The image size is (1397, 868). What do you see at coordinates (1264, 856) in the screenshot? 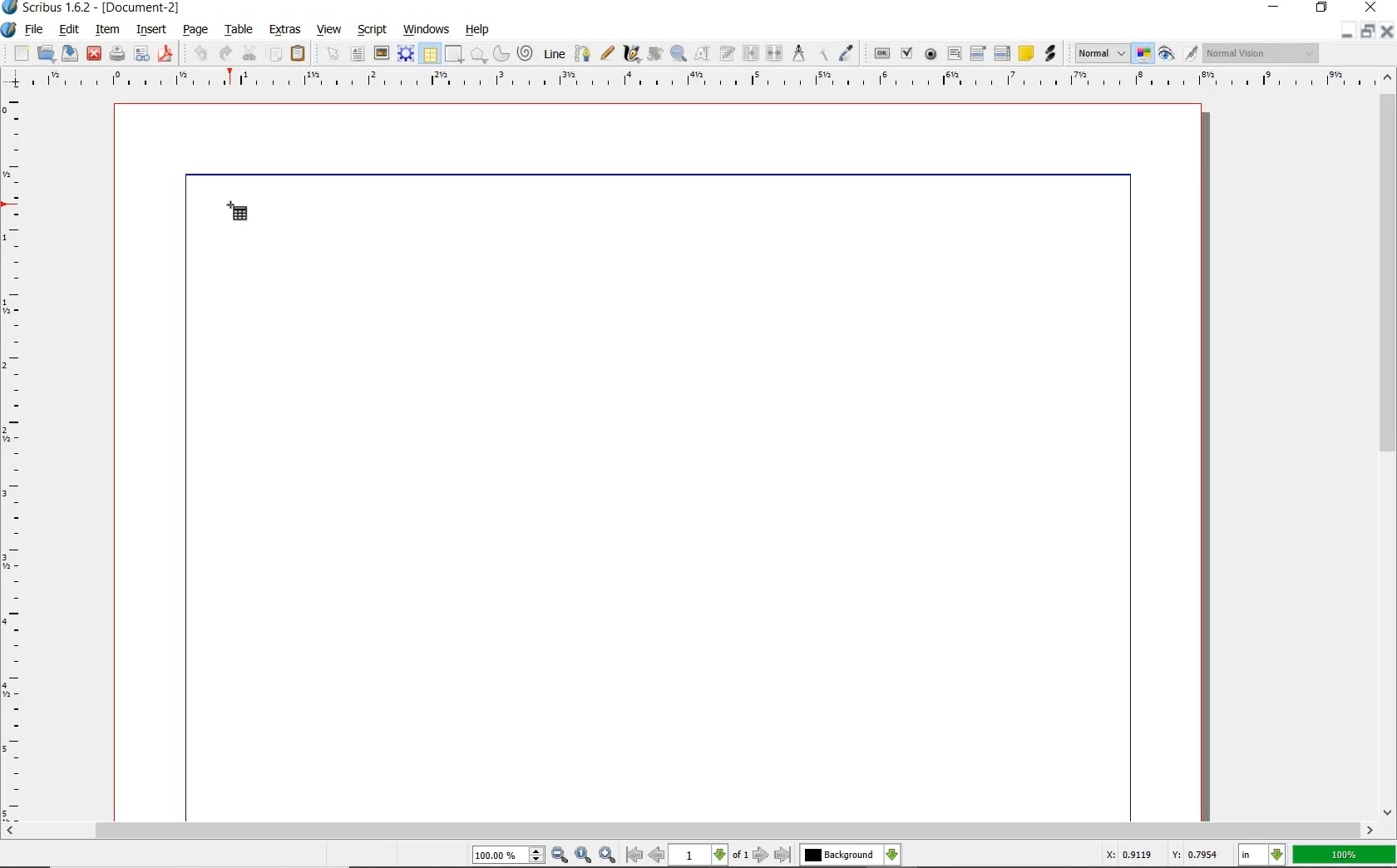
I see `select current unit` at bounding box center [1264, 856].